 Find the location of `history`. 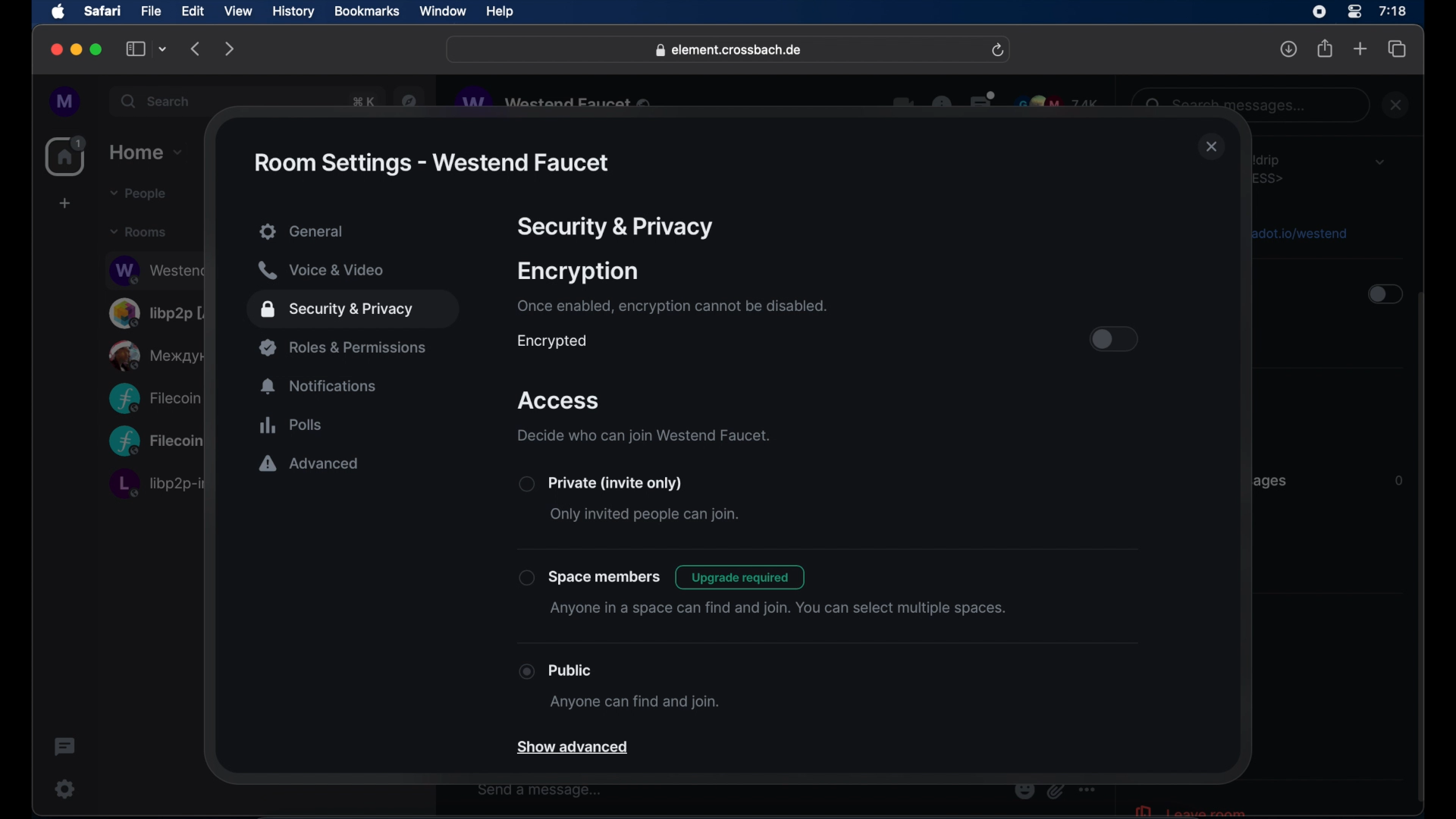

history is located at coordinates (293, 12).